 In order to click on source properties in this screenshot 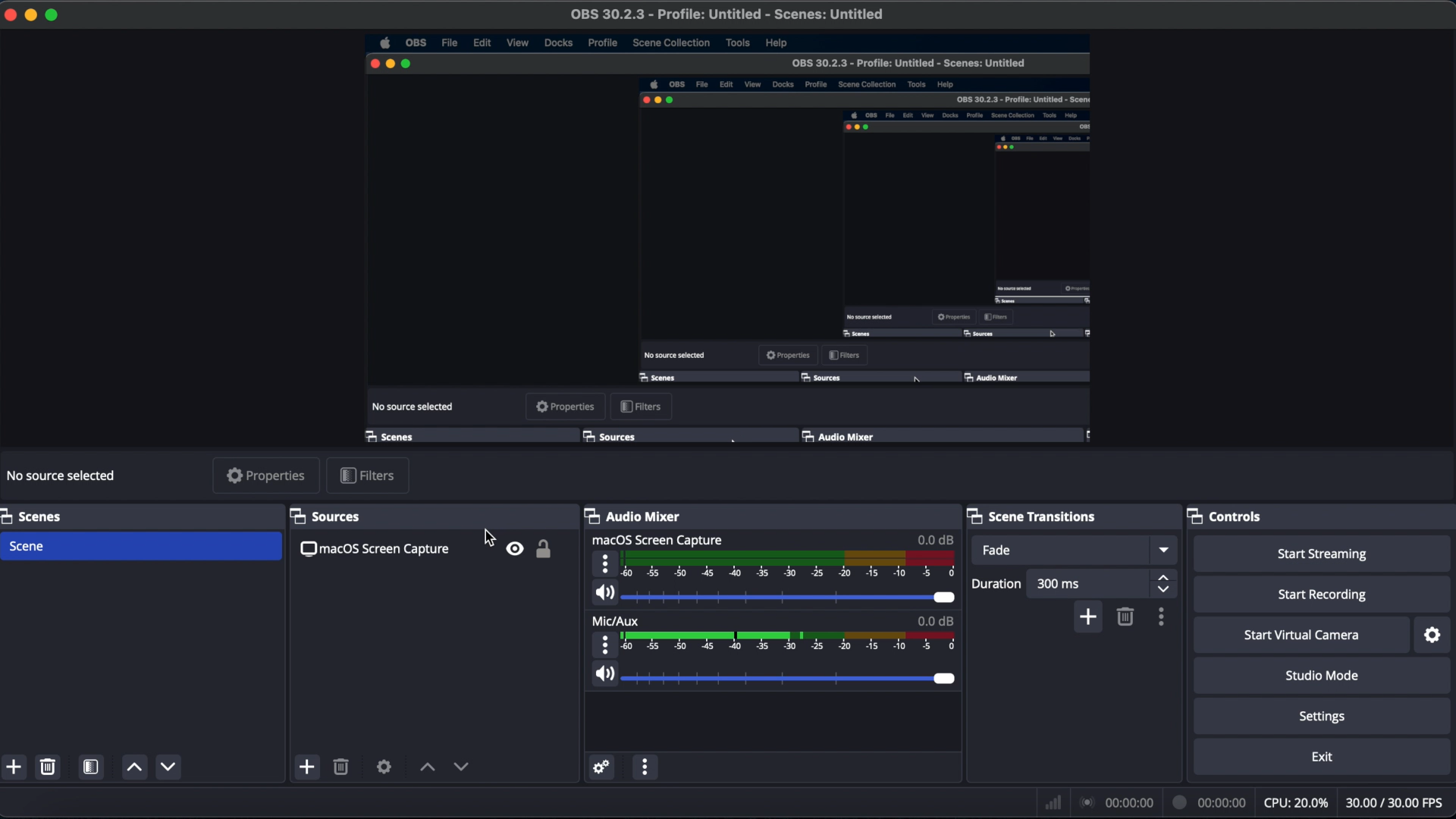, I will do `click(384, 767)`.